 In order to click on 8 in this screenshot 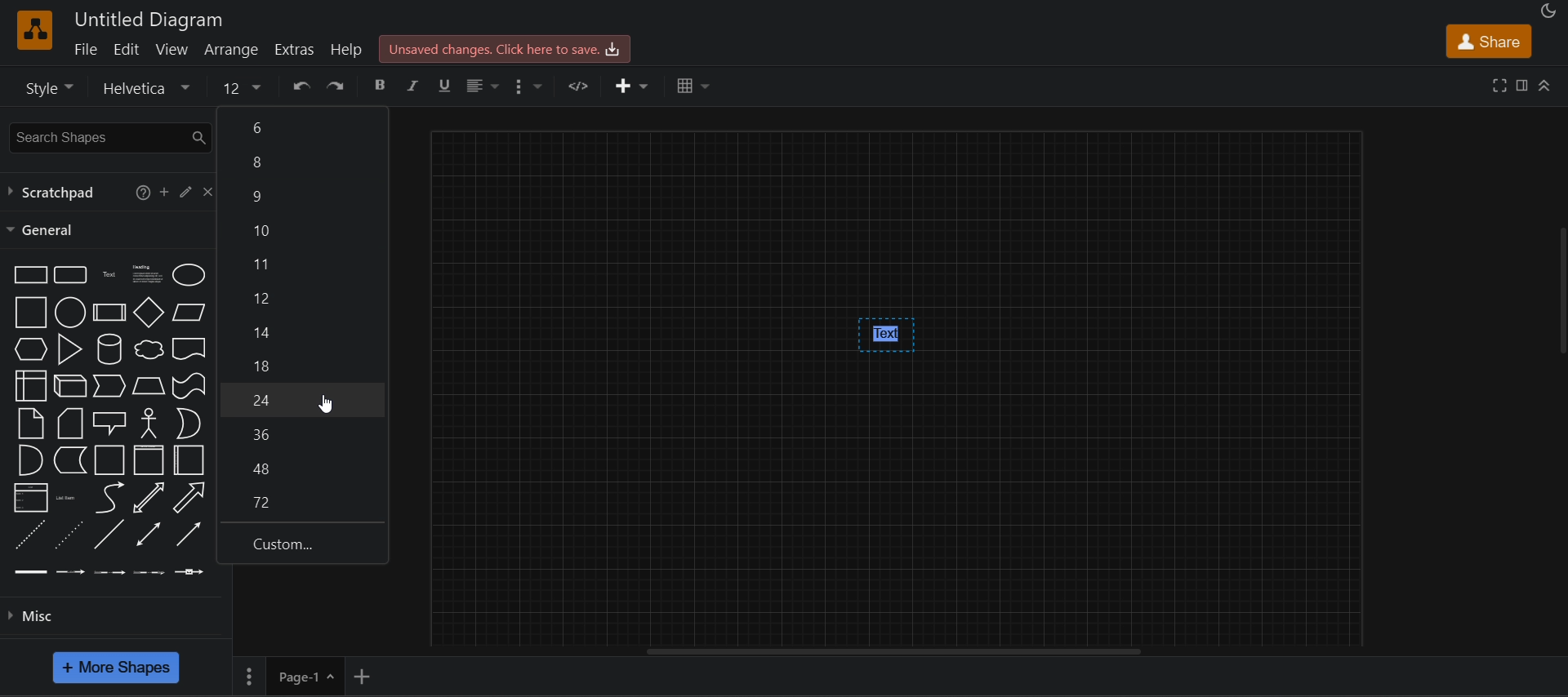, I will do `click(301, 467)`.